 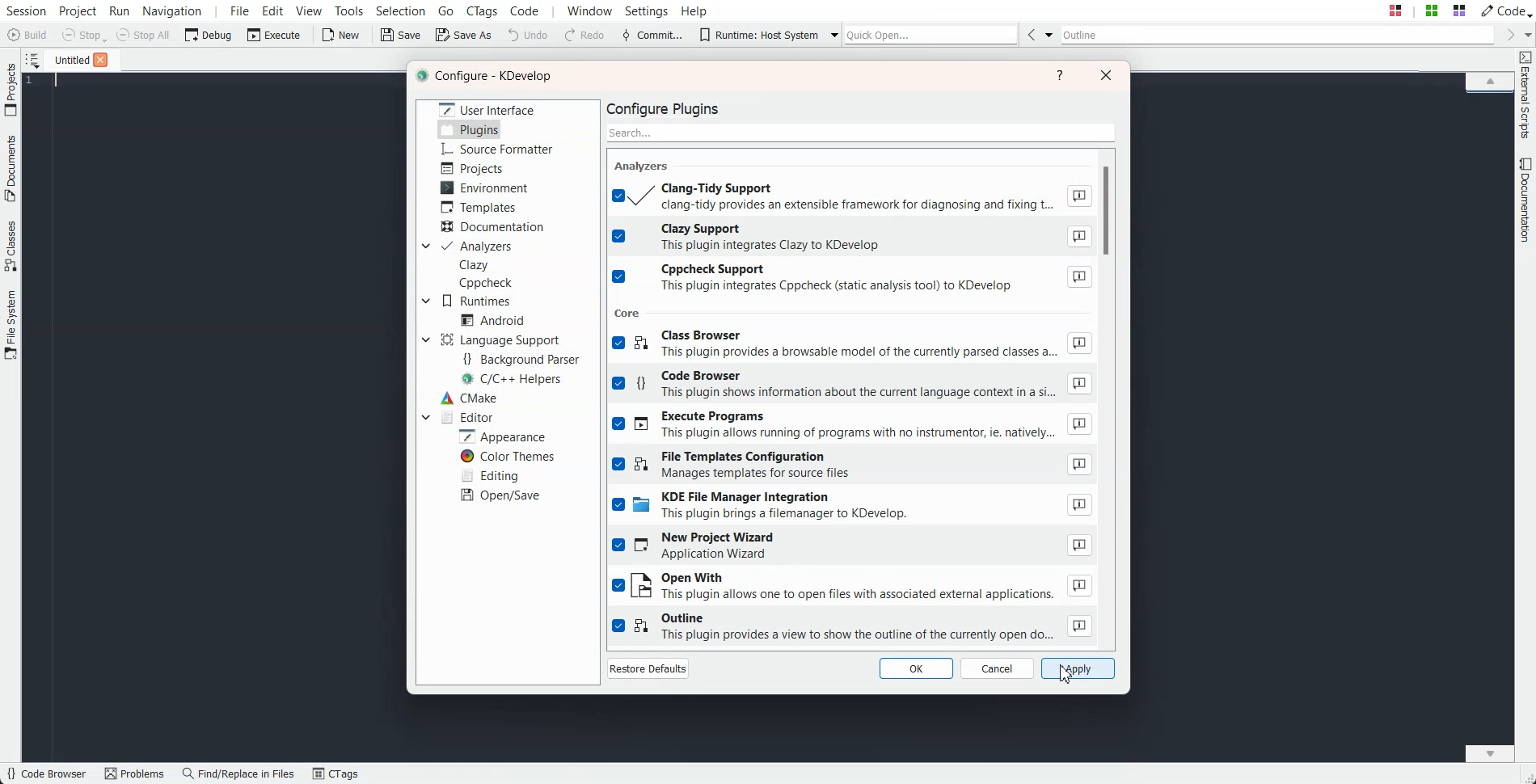 I want to click on Scroll up, so click(x=1490, y=80).